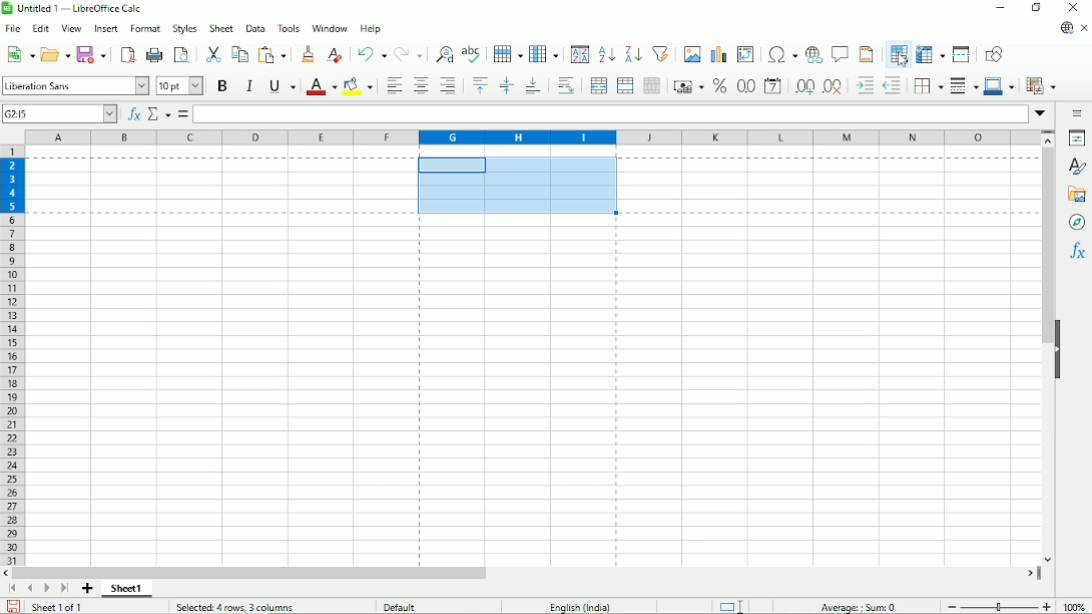  Describe the element at coordinates (1000, 606) in the screenshot. I see `Zoom out/in` at that location.